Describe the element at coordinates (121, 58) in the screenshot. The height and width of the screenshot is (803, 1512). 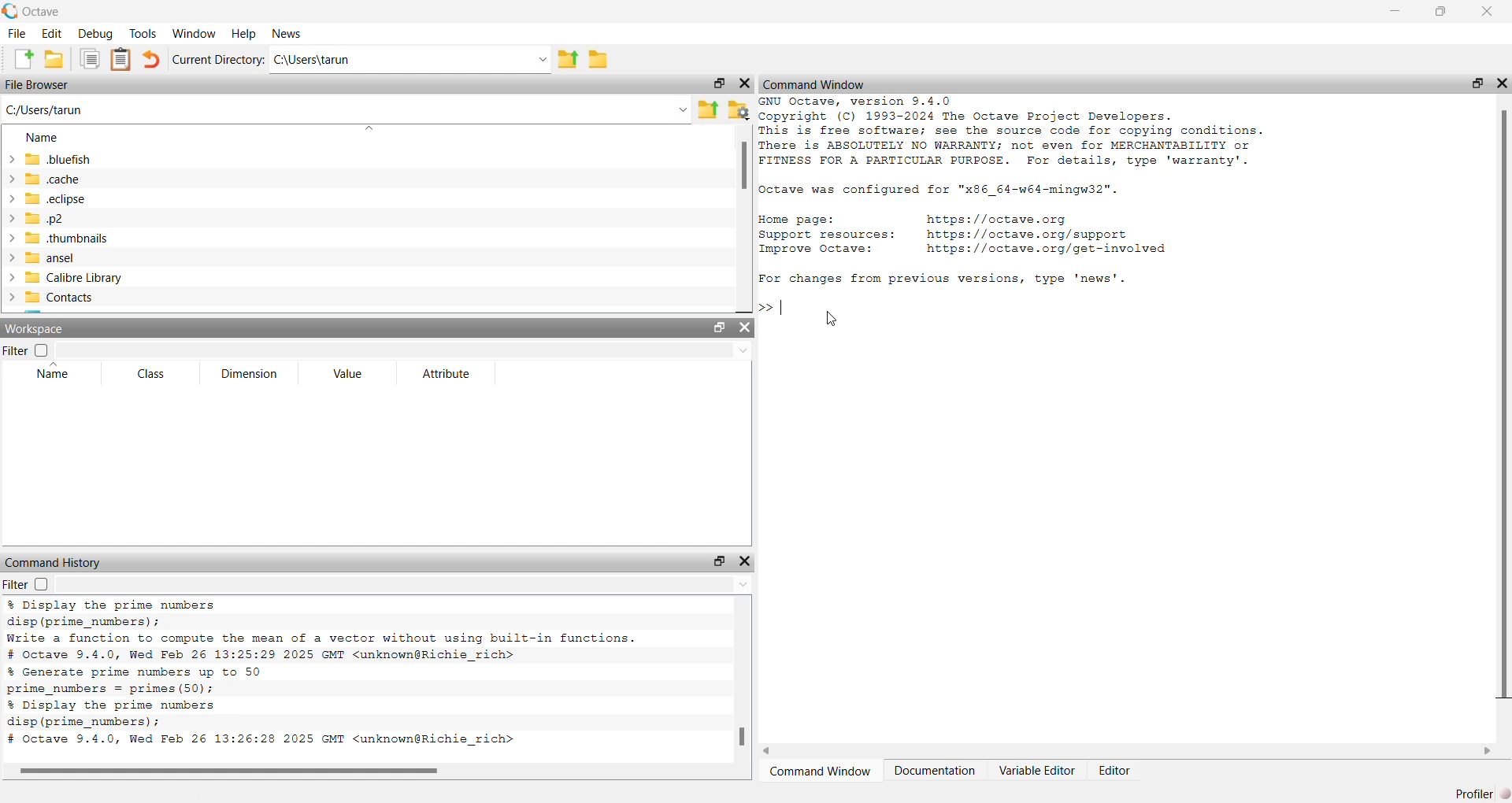
I see `clip board` at that location.